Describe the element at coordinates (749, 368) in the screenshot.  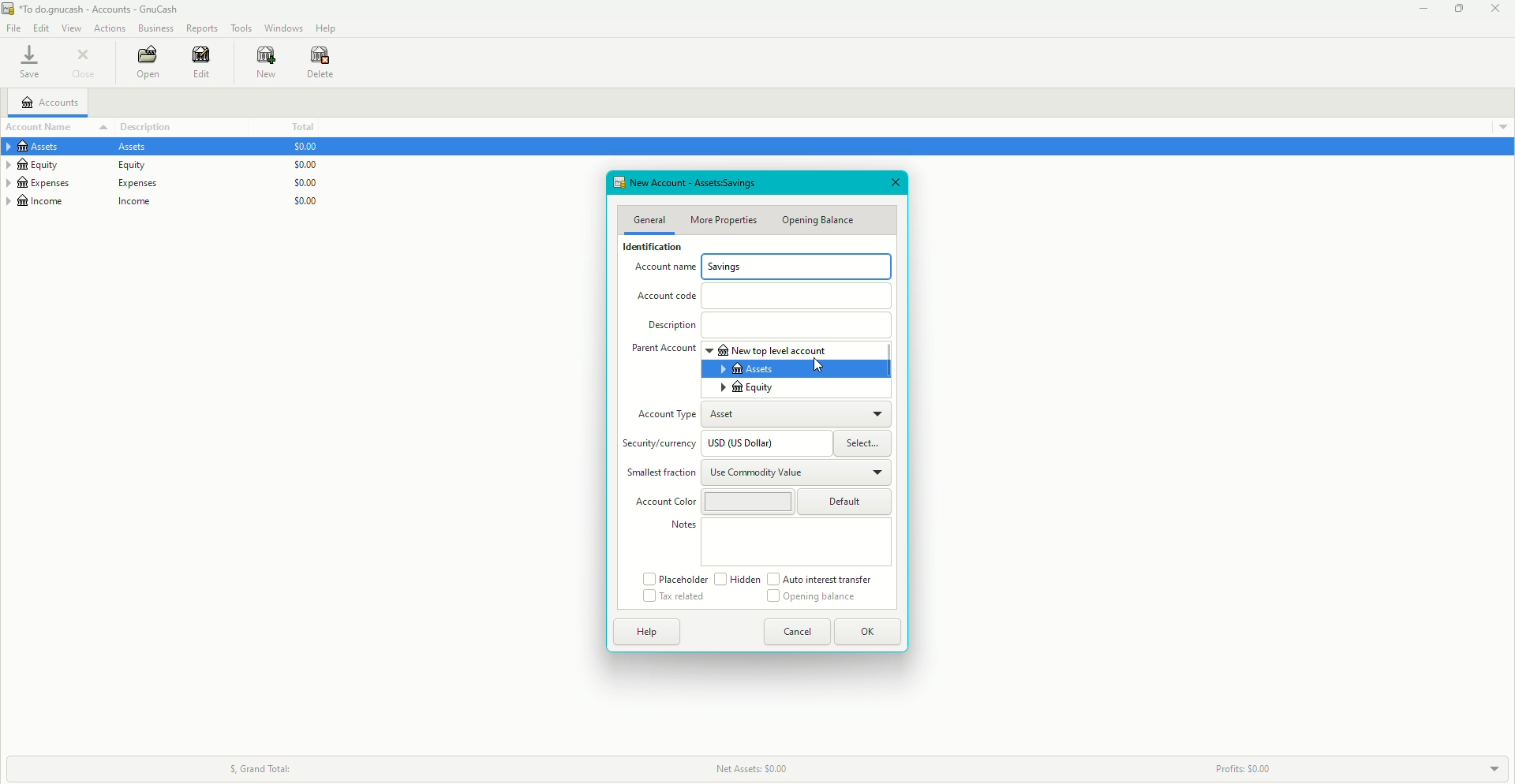
I see `Assets` at that location.